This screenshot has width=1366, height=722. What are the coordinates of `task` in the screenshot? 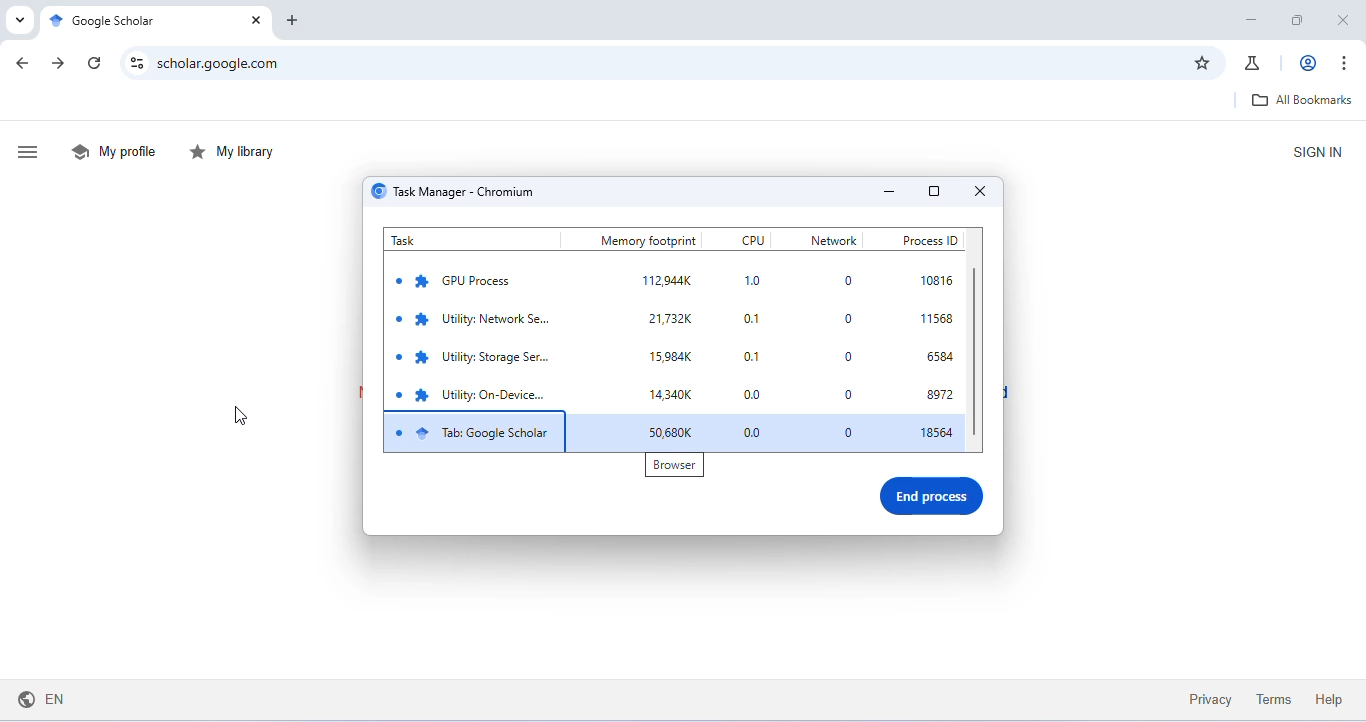 It's located at (425, 240).